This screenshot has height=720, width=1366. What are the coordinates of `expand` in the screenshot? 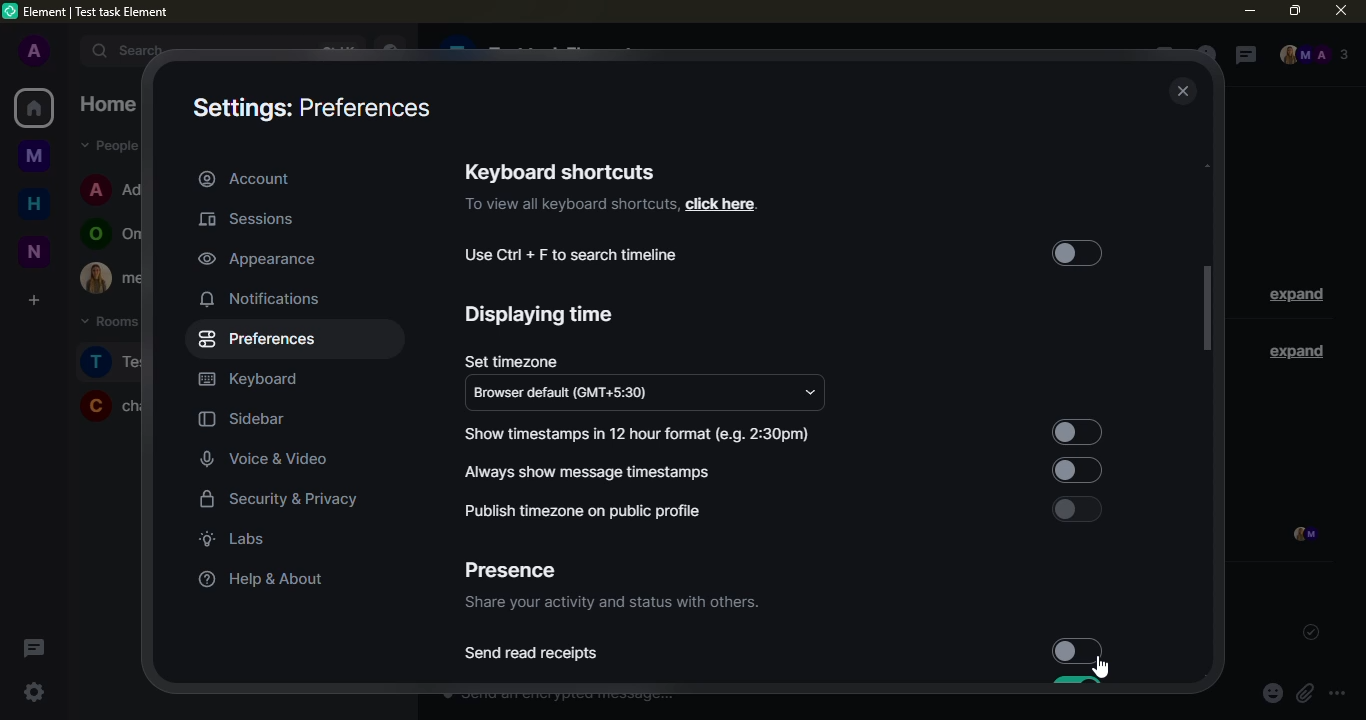 It's located at (1296, 296).